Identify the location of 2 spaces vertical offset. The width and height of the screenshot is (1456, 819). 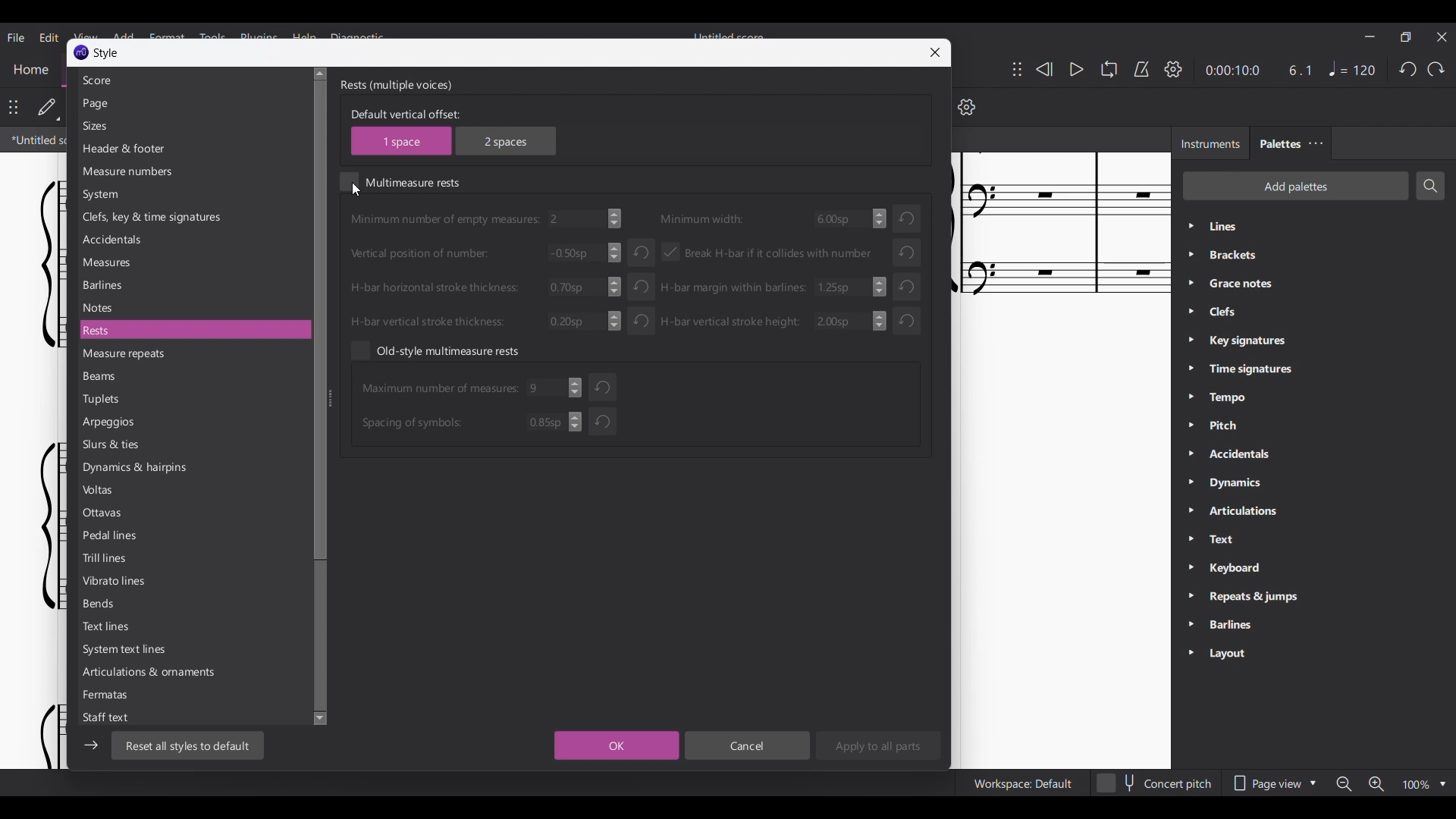
(506, 141).